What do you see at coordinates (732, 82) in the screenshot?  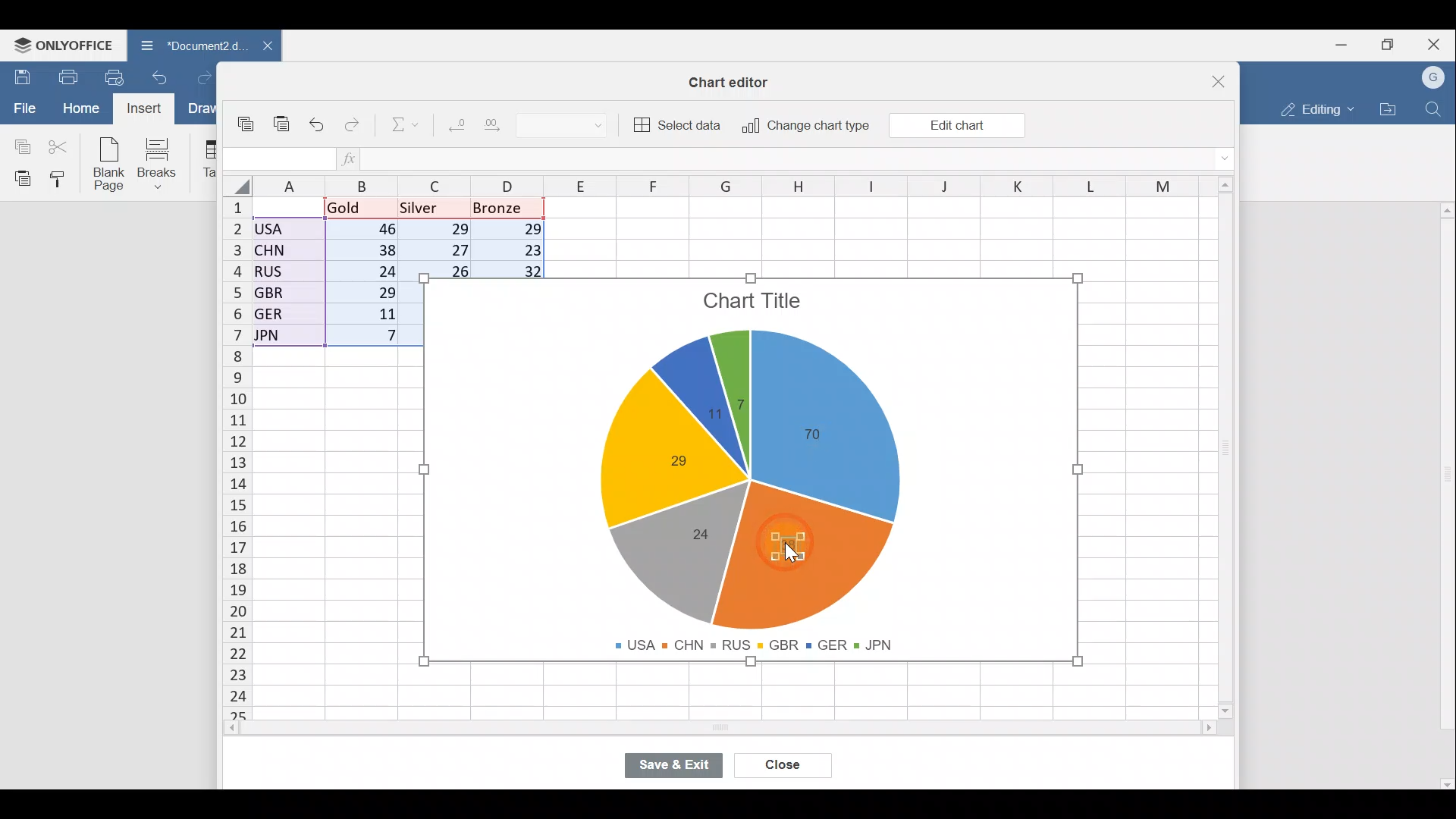 I see `Chart editor` at bounding box center [732, 82].